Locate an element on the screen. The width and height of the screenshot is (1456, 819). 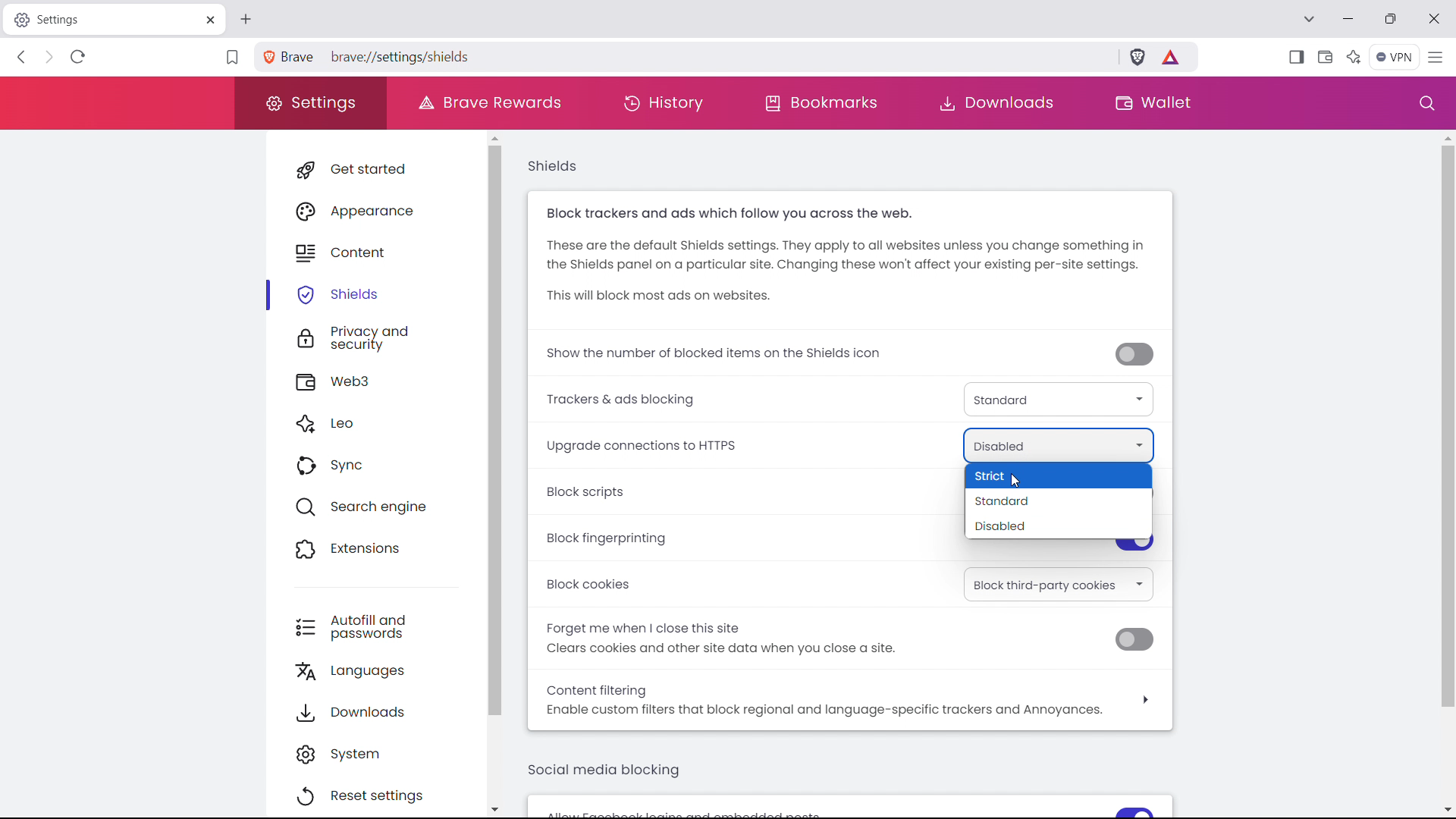
Allow feedback is located at coordinates (848, 808).